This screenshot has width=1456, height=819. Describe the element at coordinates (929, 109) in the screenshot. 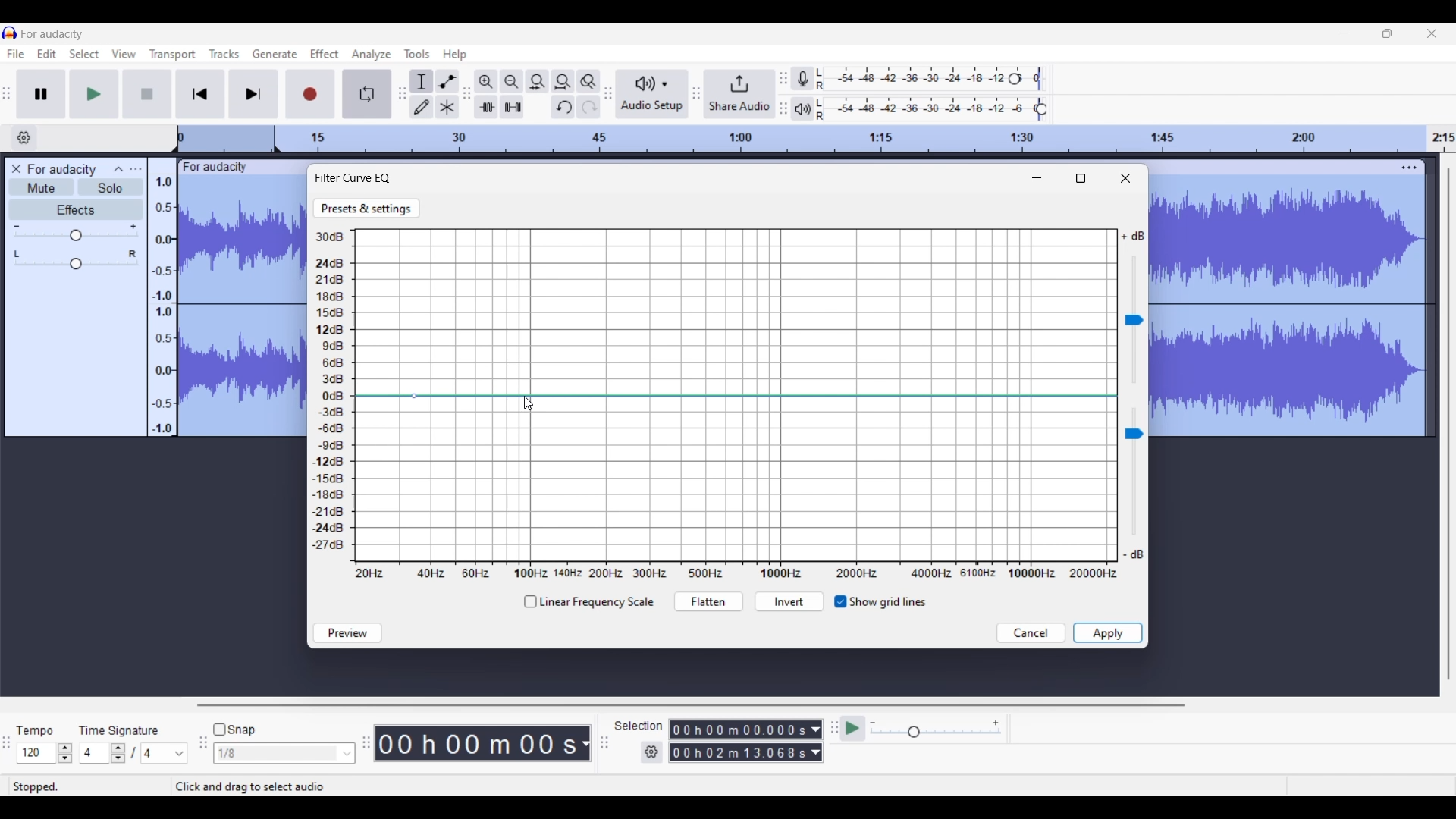

I see `Playback level` at that location.